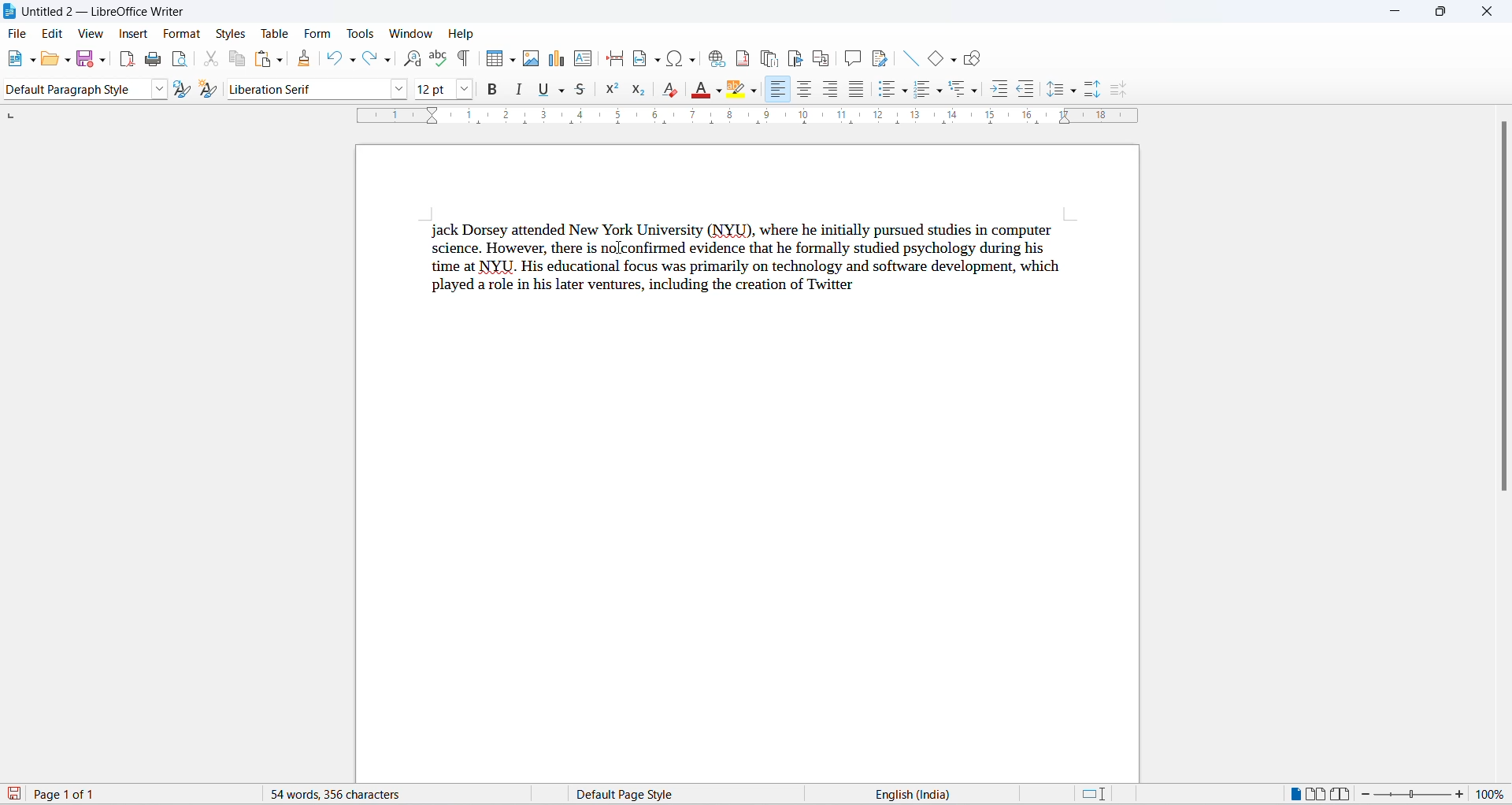  I want to click on font color options, so click(715, 91).